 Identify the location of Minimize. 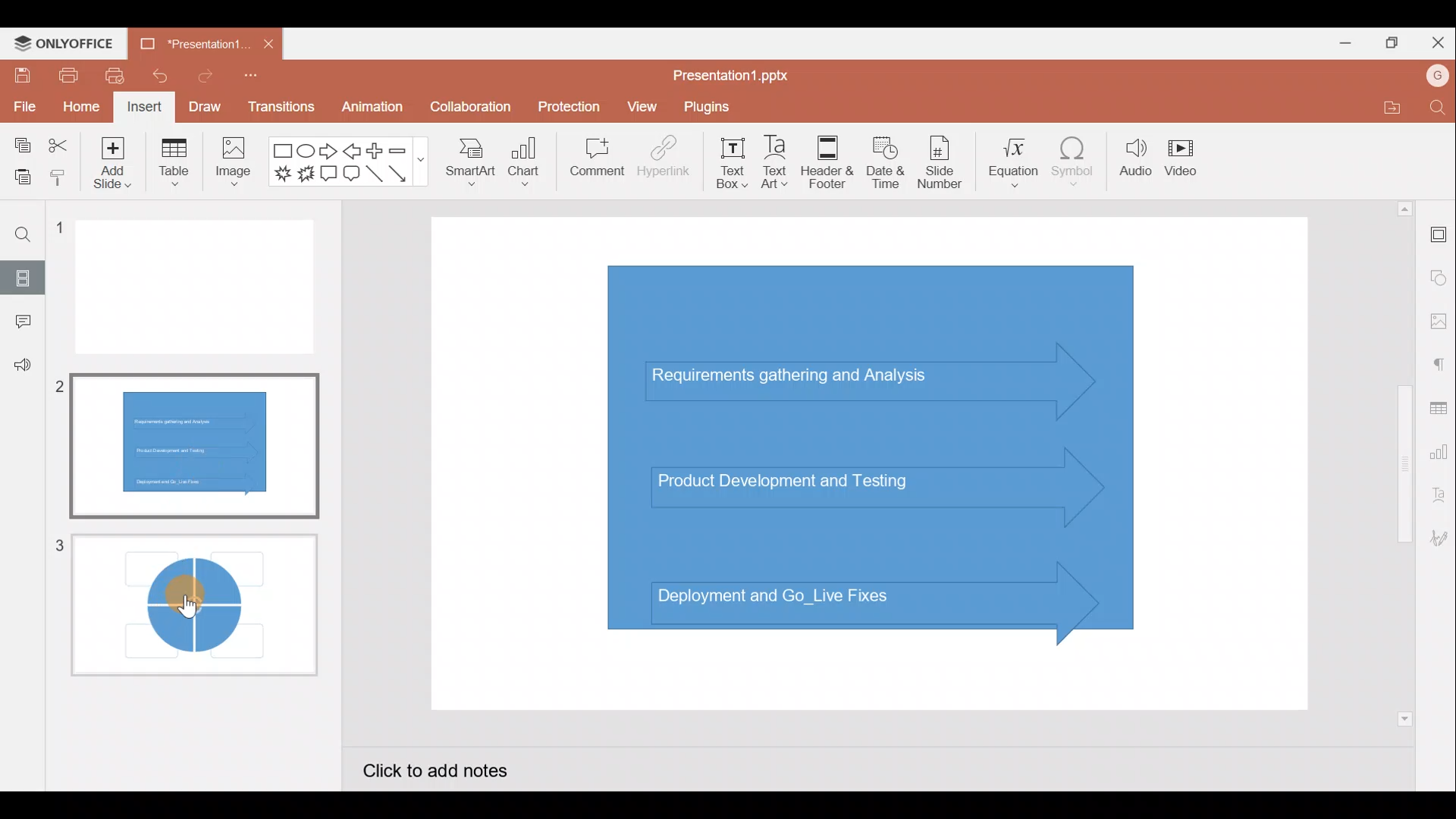
(1341, 45).